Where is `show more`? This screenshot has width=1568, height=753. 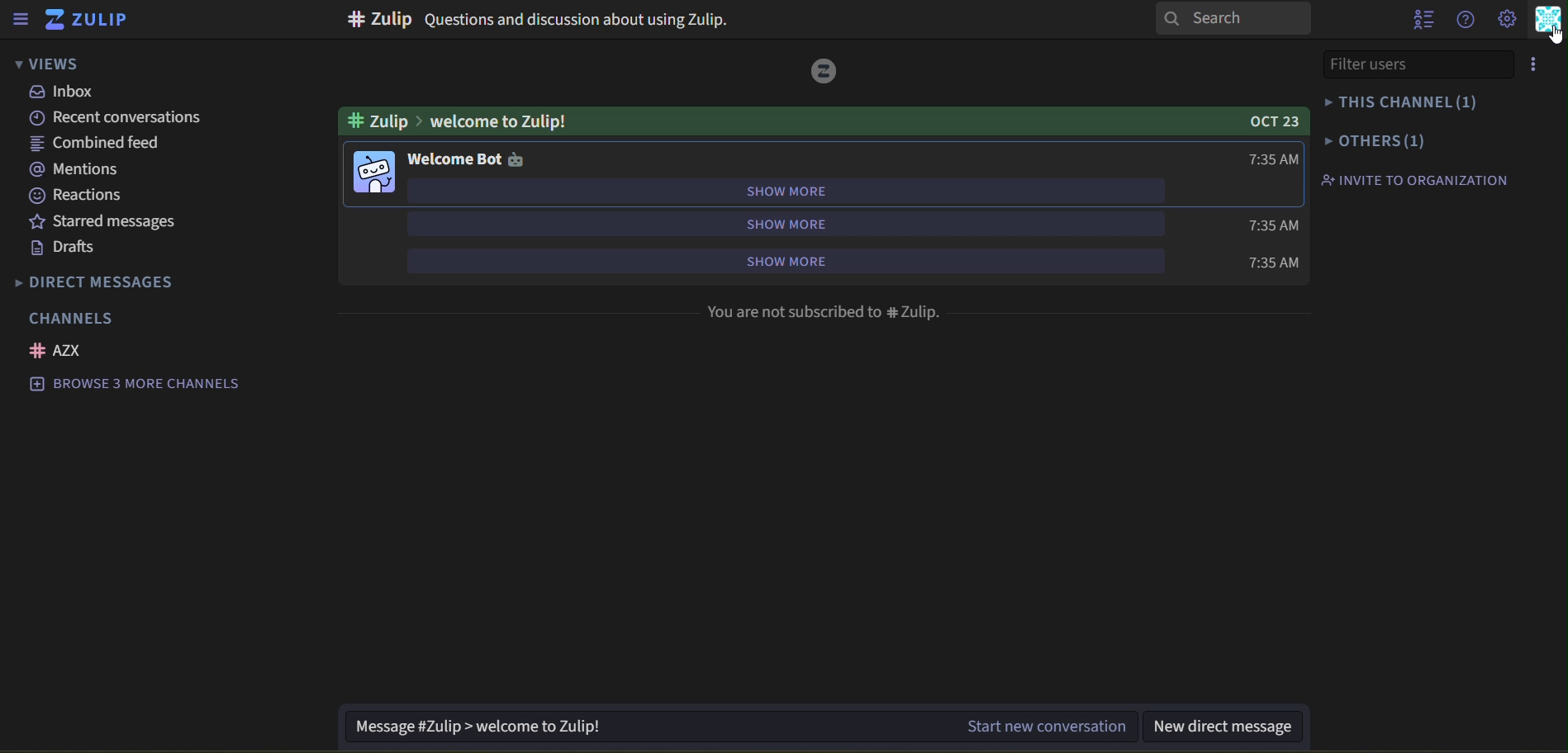 show more is located at coordinates (817, 259).